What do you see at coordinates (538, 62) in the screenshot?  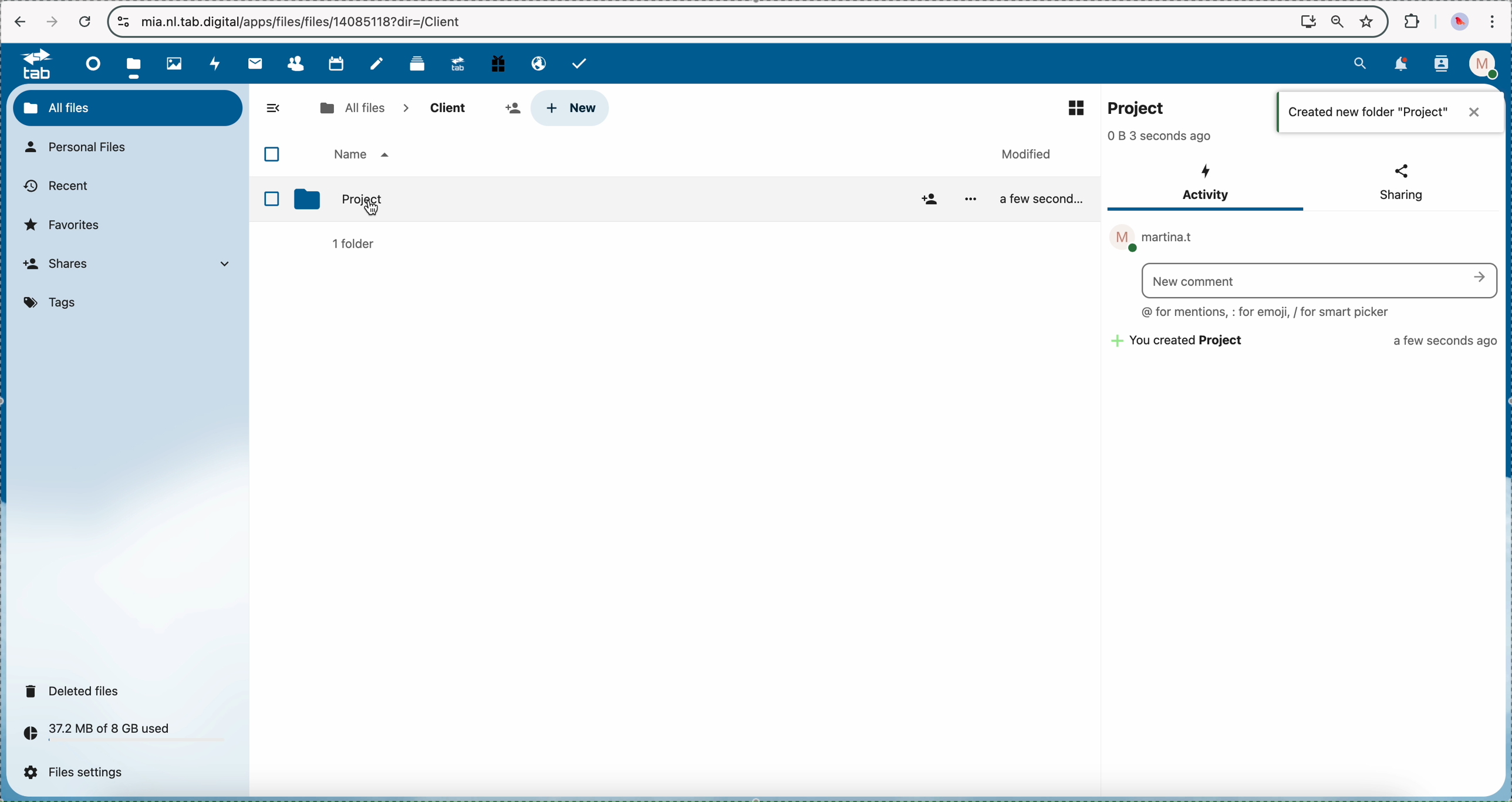 I see `email` at bounding box center [538, 62].